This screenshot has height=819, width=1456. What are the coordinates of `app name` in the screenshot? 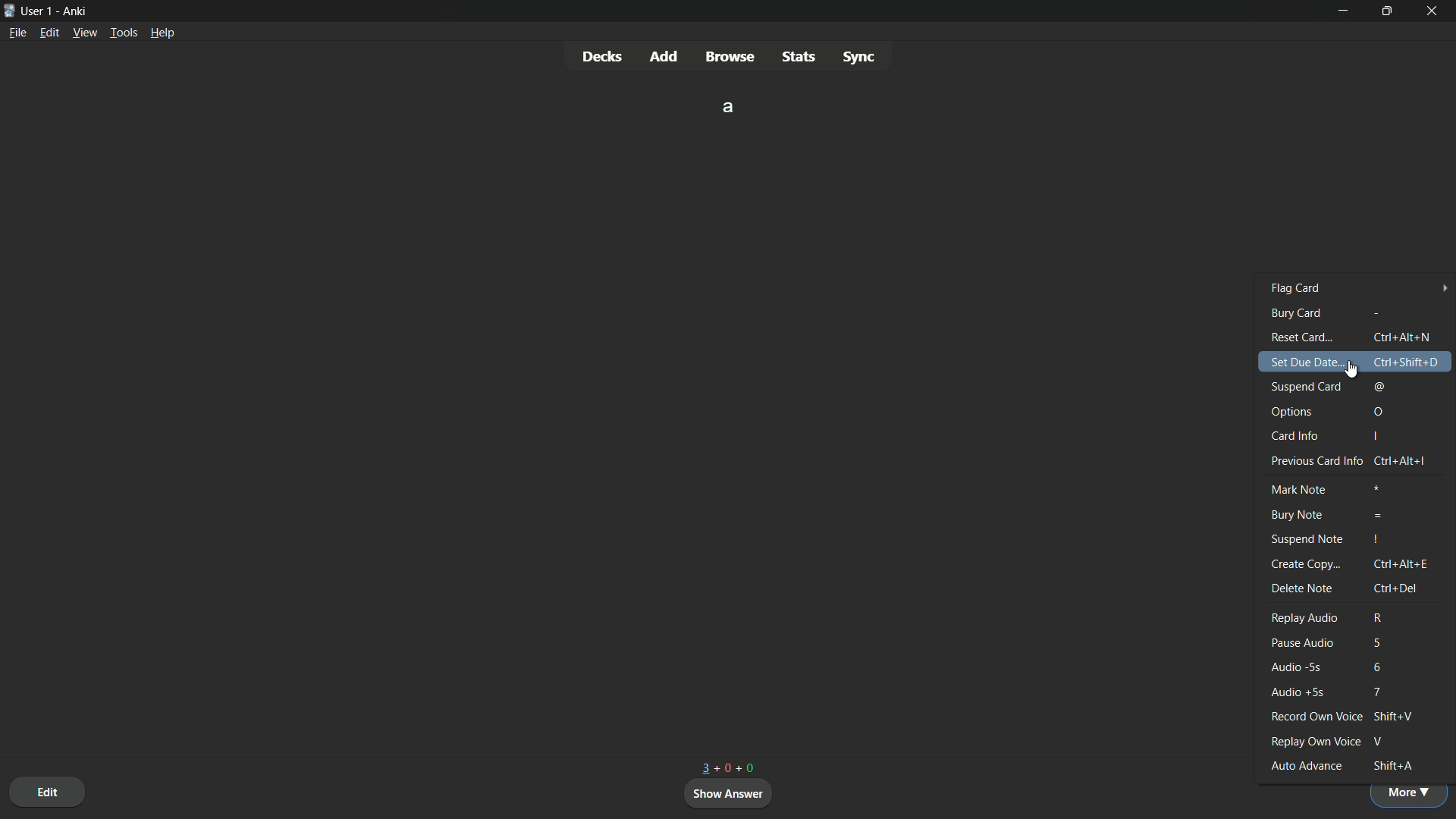 It's located at (76, 12).